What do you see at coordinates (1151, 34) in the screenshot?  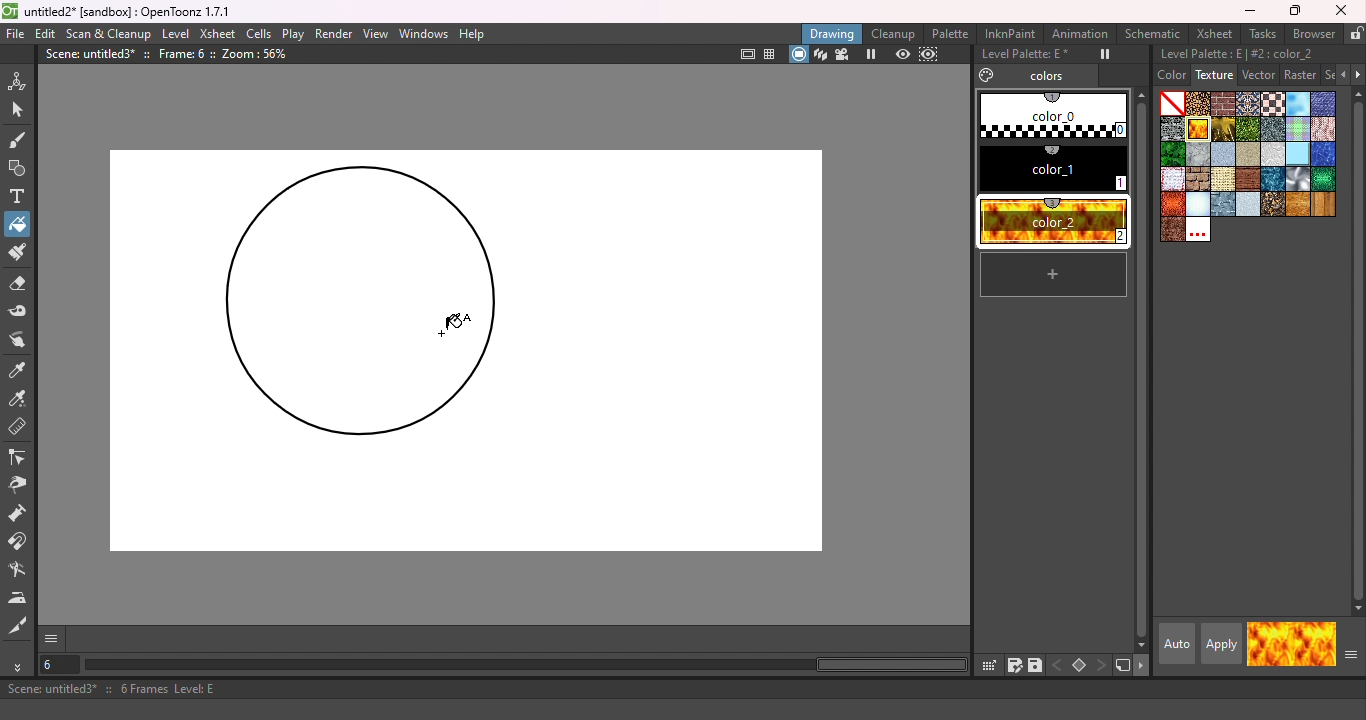 I see `Schematic` at bounding box center [1151, 34].